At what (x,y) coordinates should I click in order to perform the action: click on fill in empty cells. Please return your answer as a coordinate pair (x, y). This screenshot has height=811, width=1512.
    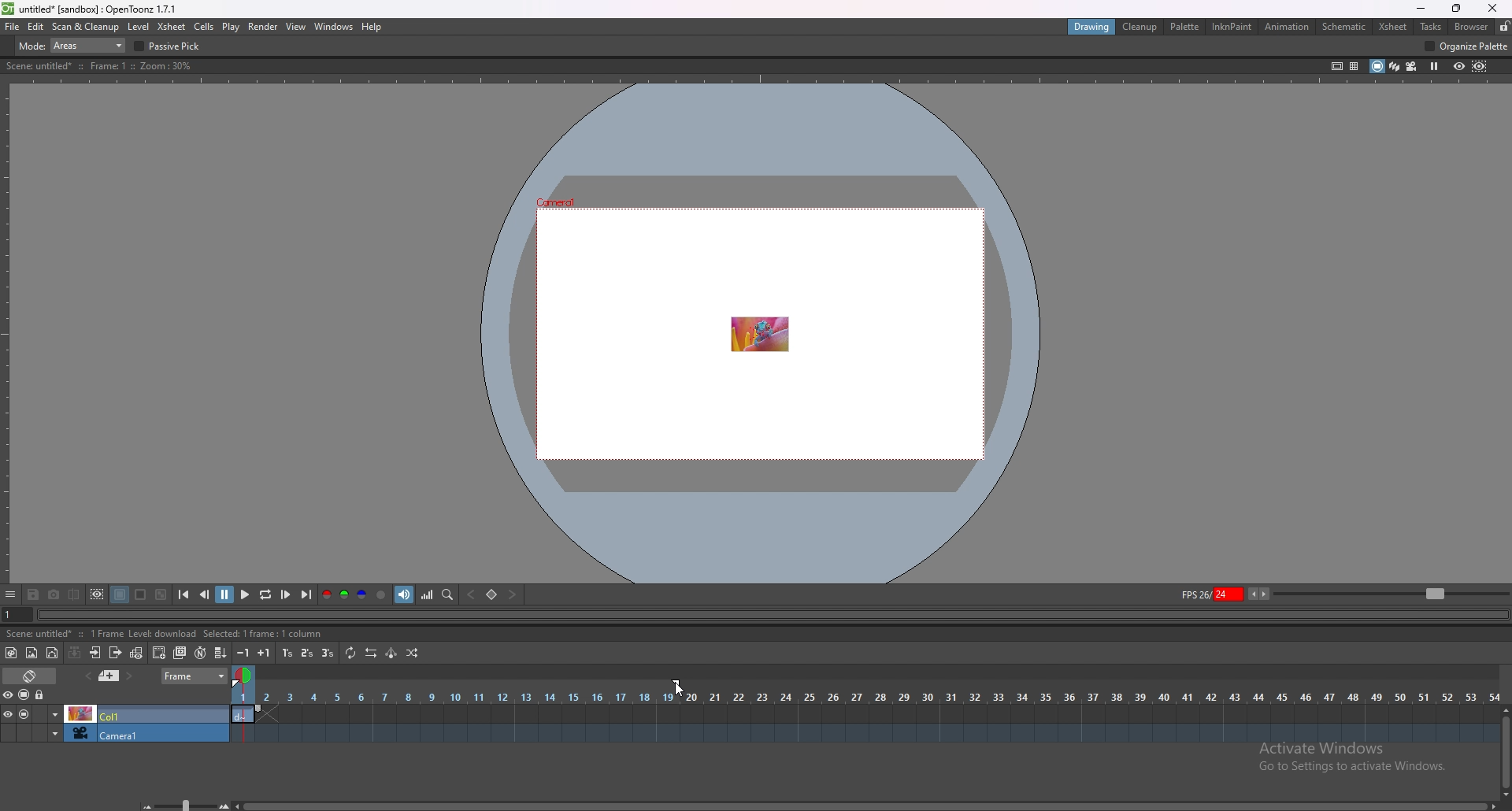
    Looking at the image, I should click on (219, 653).